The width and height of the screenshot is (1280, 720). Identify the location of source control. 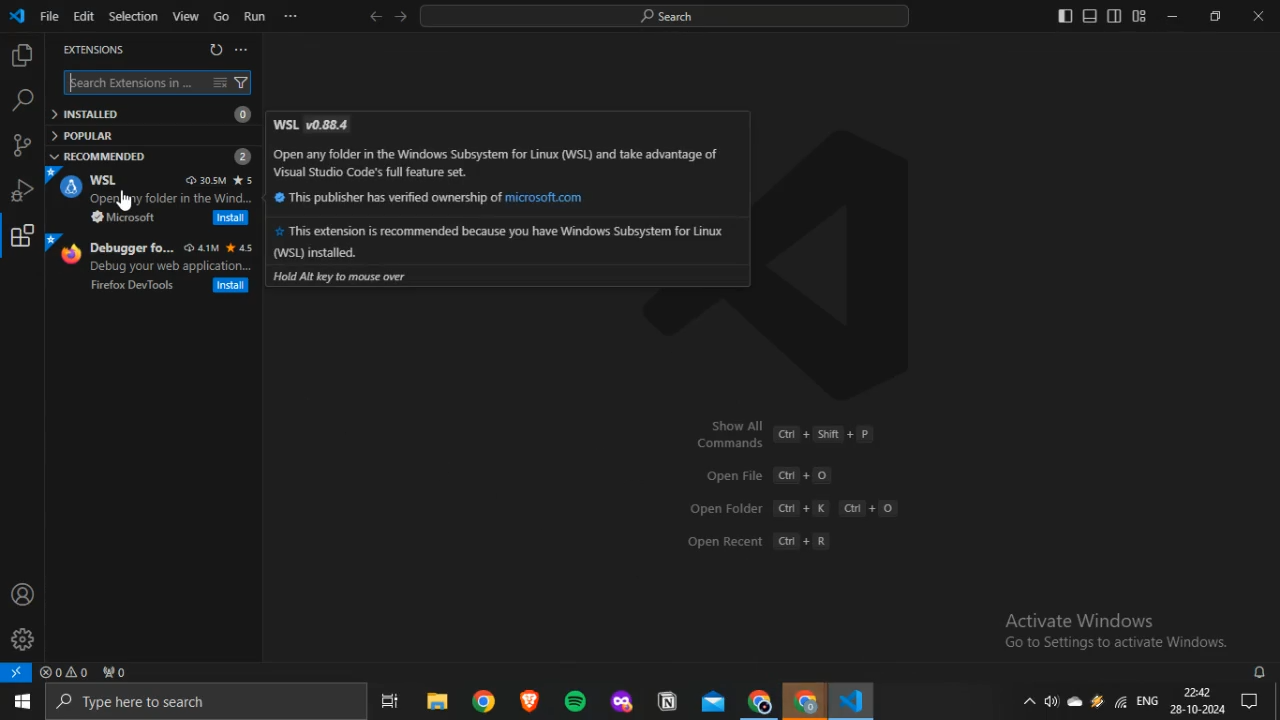
(21, 145).